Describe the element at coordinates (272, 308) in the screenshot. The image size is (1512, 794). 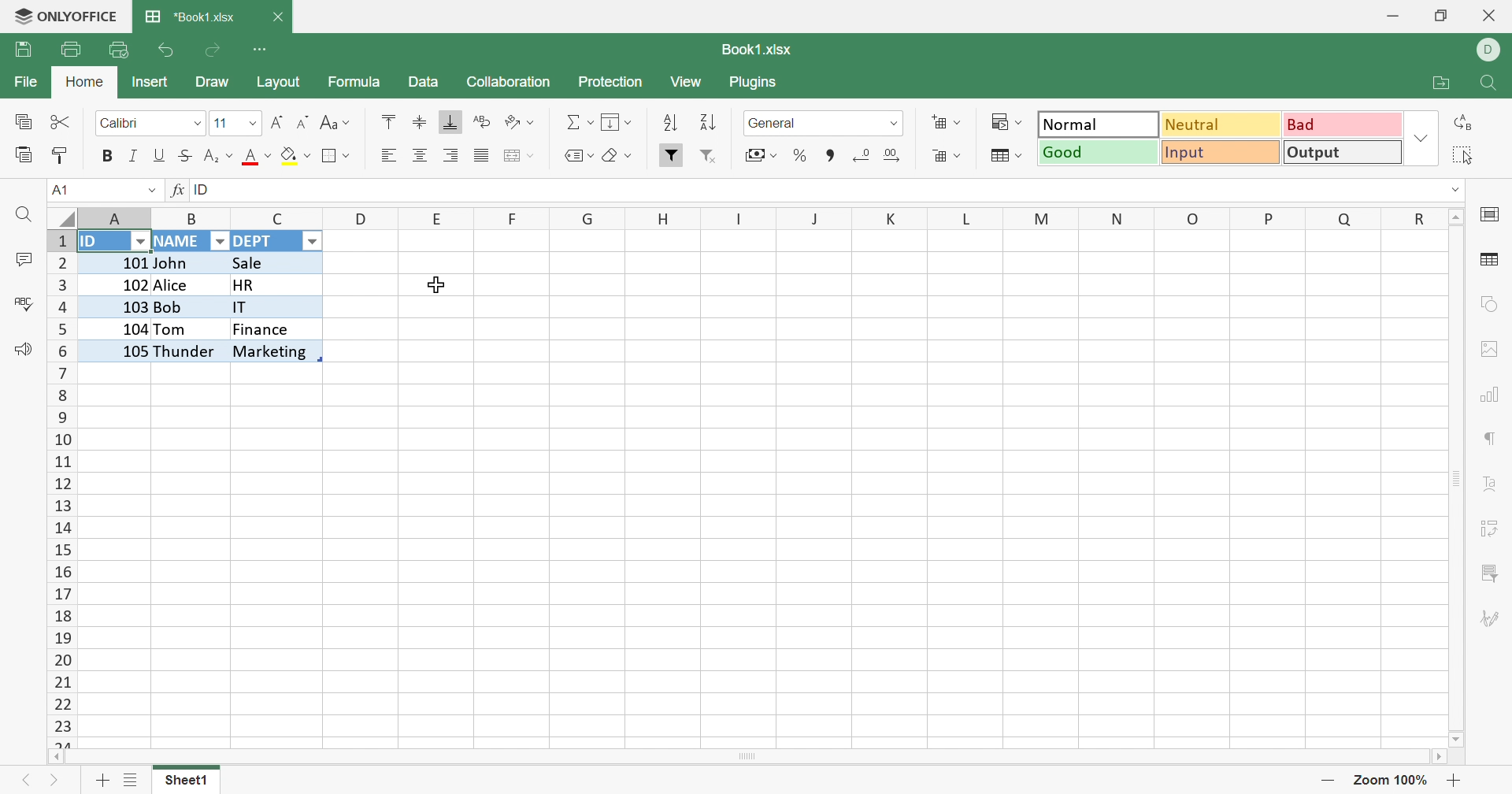
I see `IT` at that location.